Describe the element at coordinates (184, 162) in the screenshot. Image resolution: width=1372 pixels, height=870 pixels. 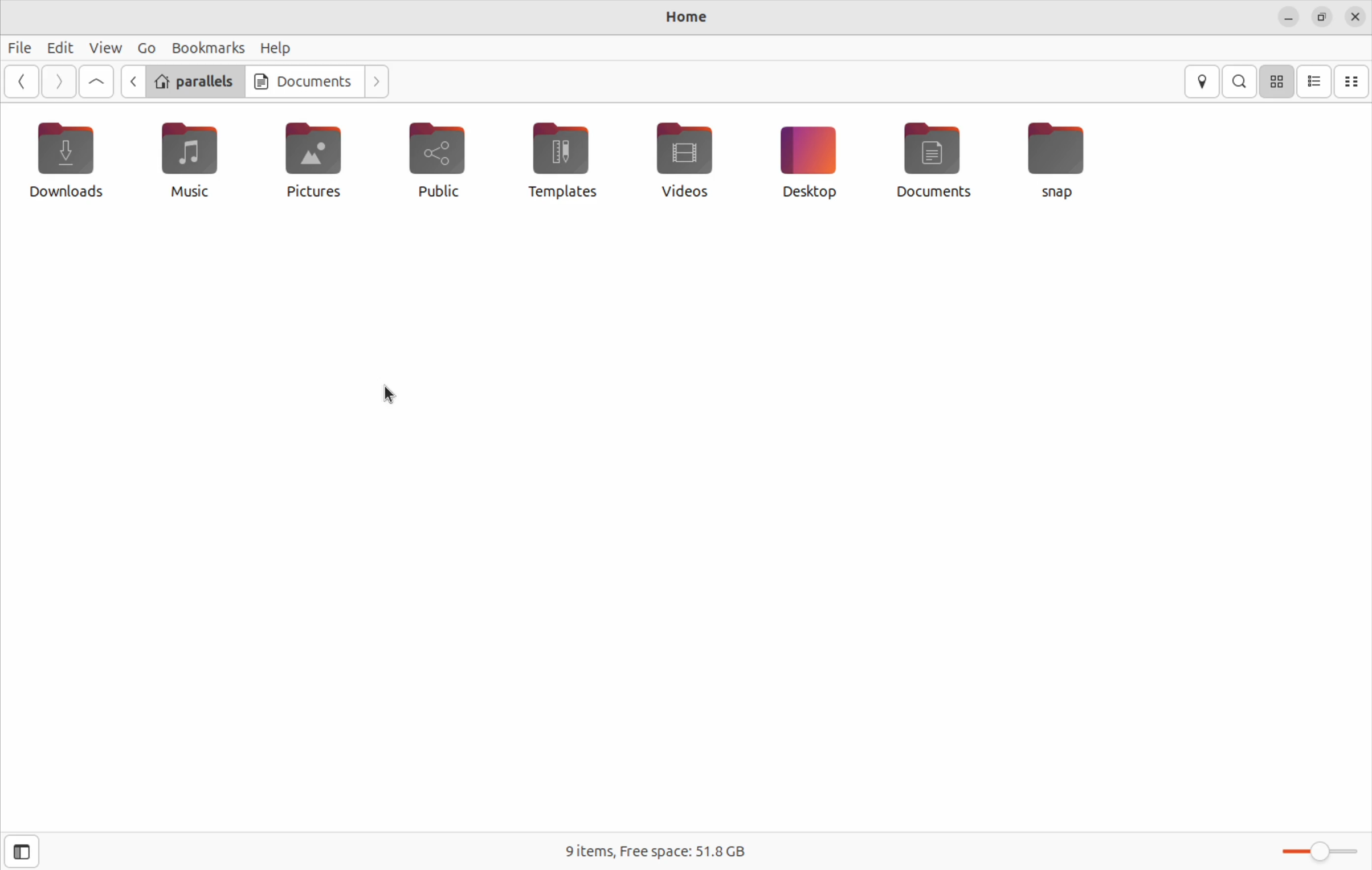
I see `music` at that location.